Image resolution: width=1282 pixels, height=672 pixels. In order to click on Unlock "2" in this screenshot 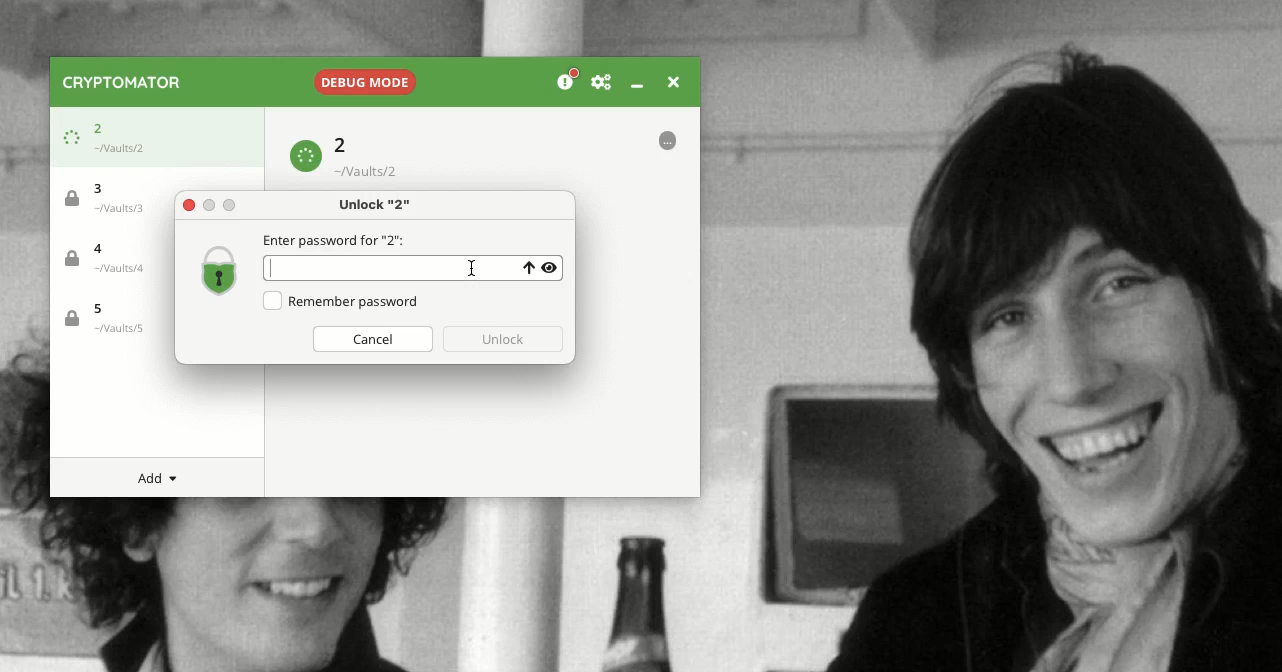, I will do `click(378, 203)`.